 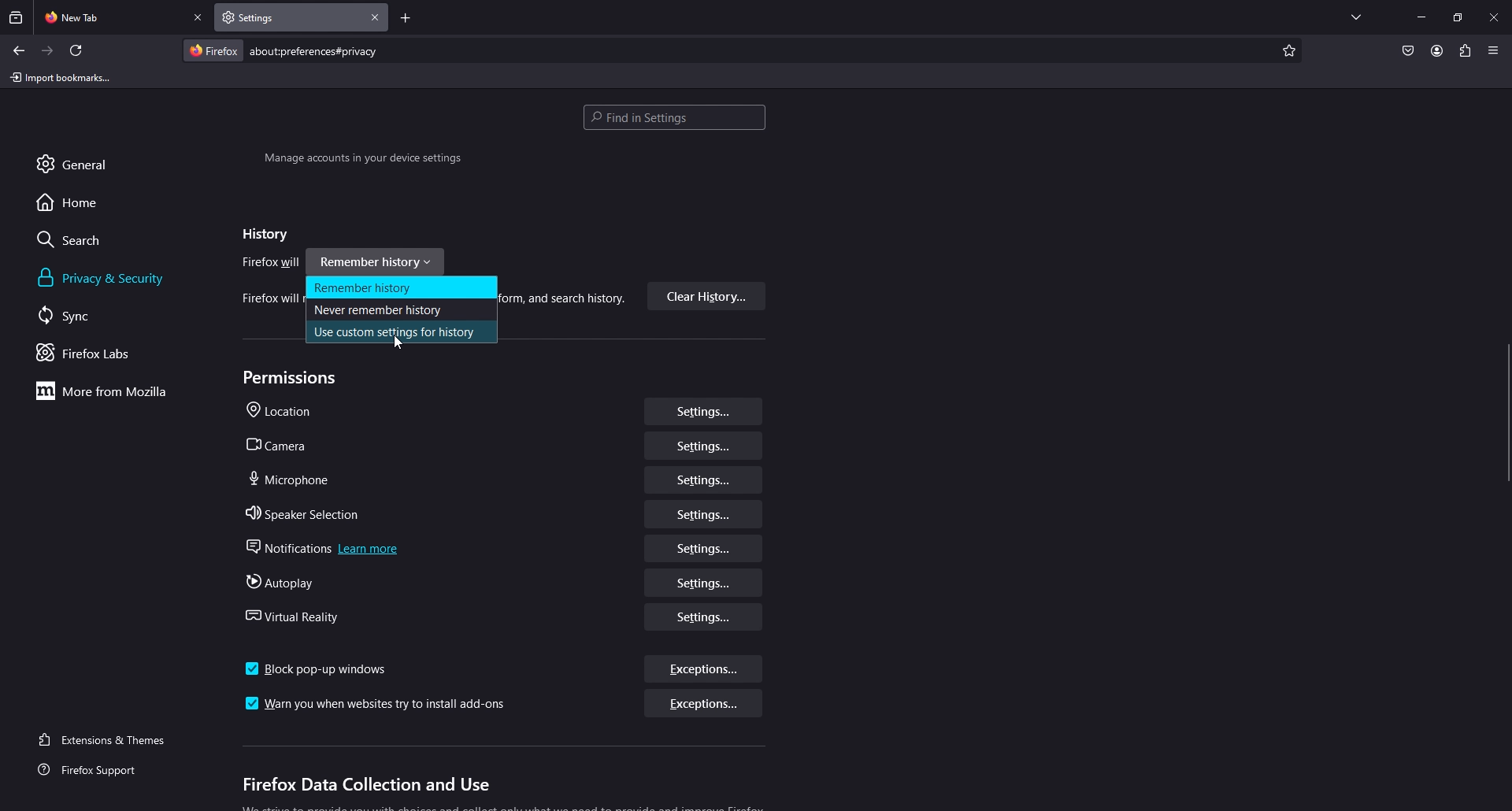 I want to click on home, so click(x=81, y=202).